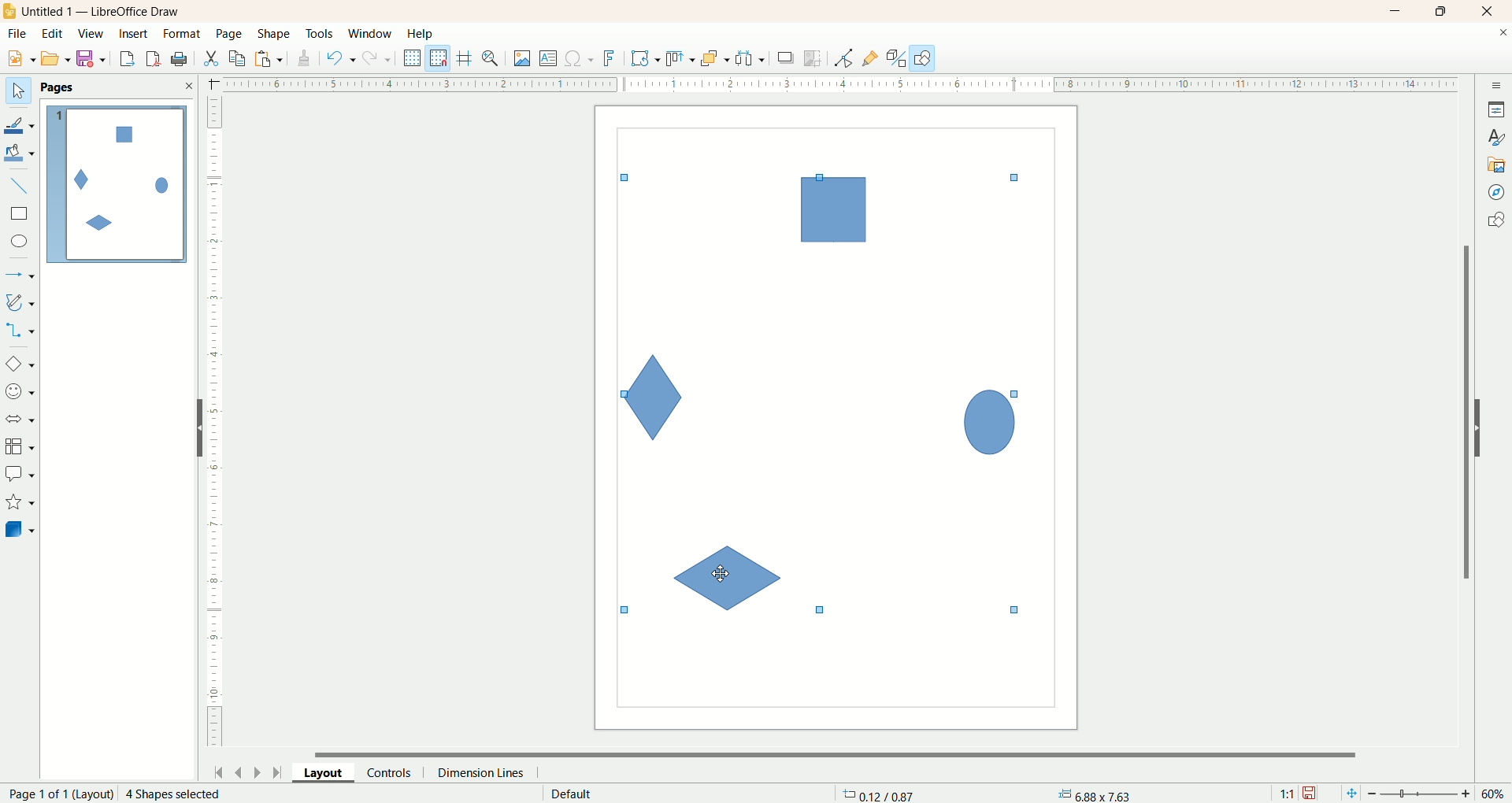 The image size is (1512, 803). What do you see at coordinates (1497, 193) in the screenshot?
I see `navigator` at bounding box center [1497, 193].